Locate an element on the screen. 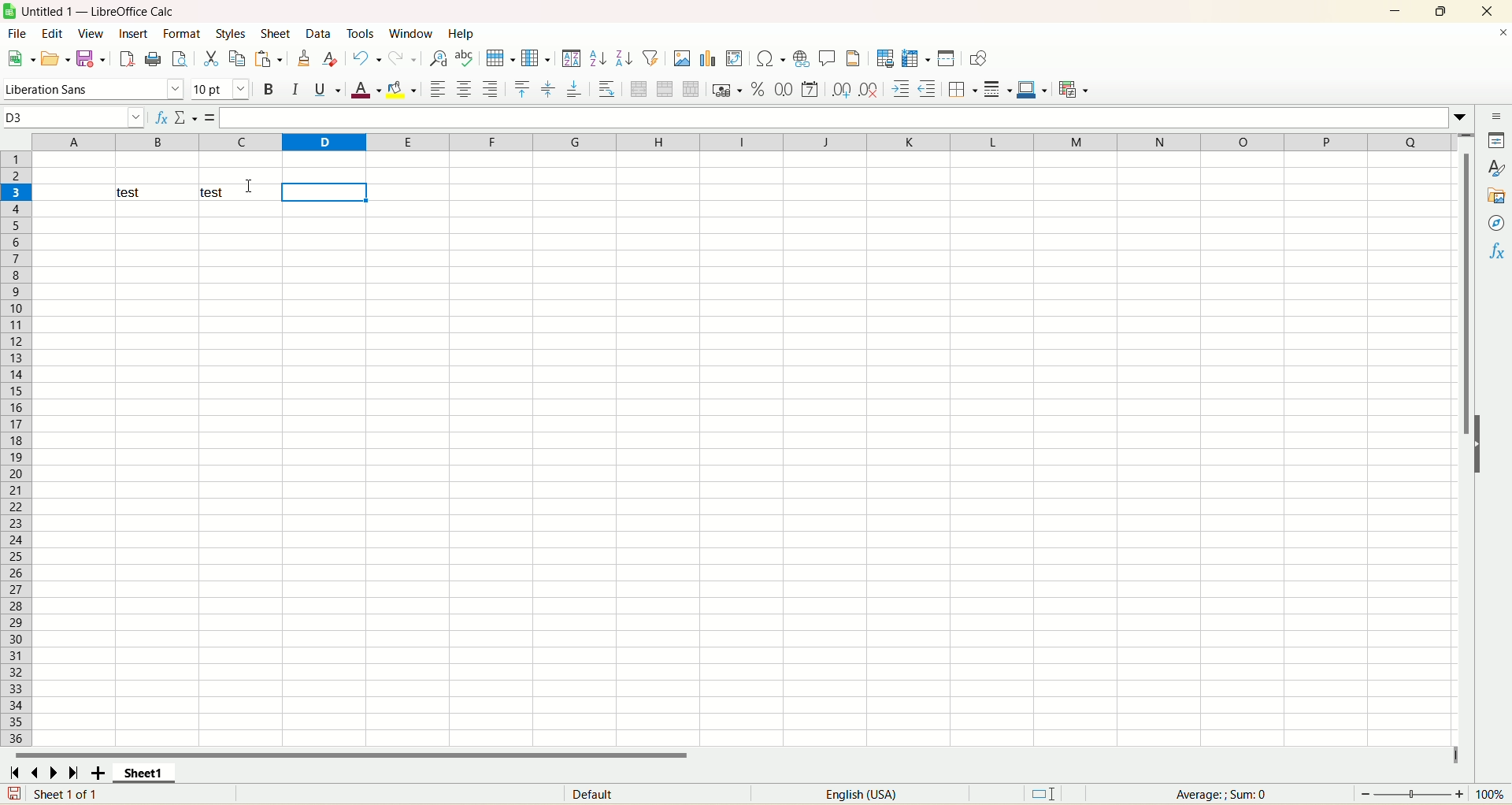 The image size is (1512, 805). border color is located at coordinates (1032, 89).